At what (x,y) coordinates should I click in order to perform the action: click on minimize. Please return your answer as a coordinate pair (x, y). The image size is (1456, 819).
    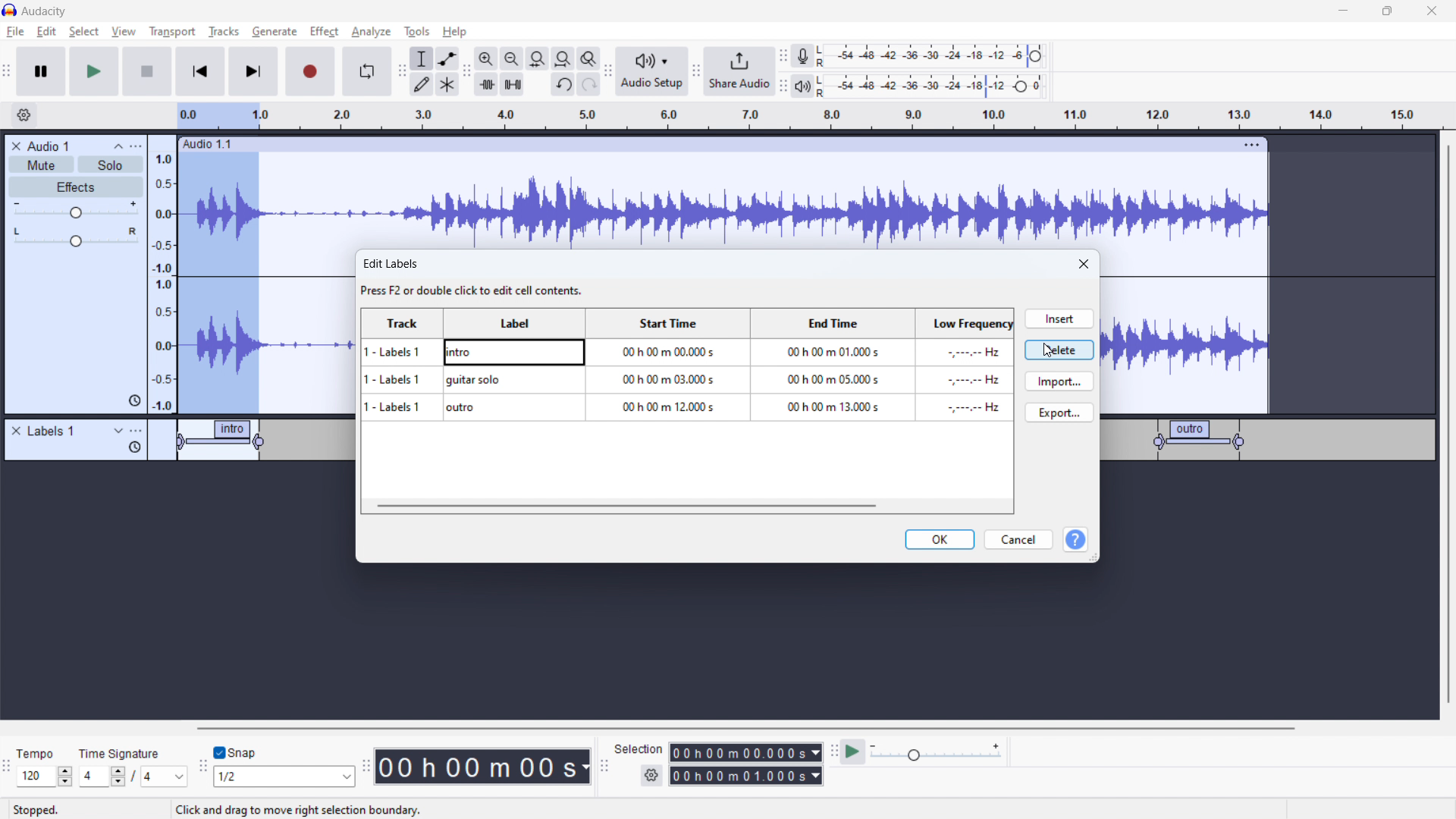
    Looking at the image, I should click on (1342, 11).